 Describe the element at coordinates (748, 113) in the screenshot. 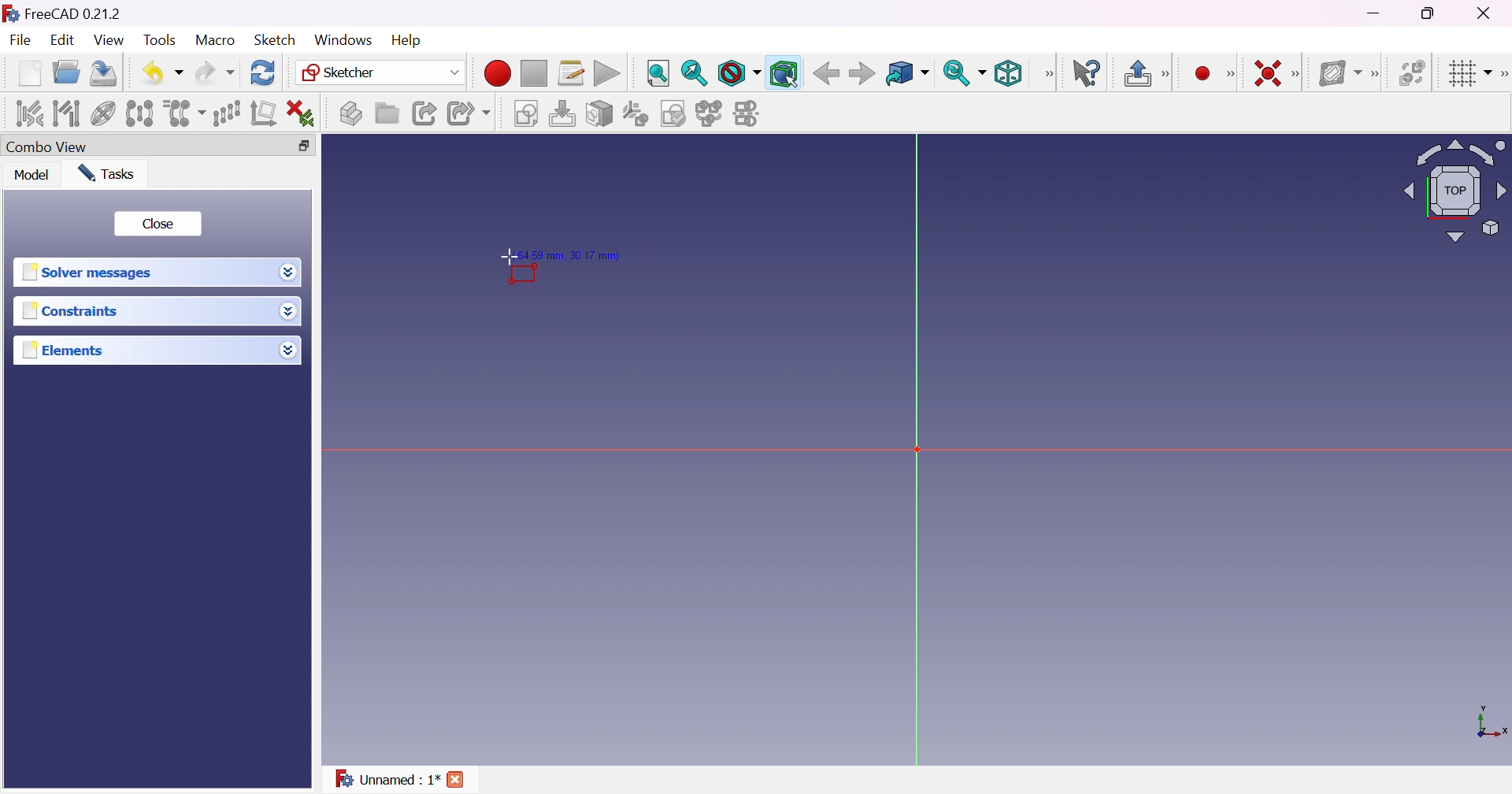

I see `Mirror sketch...` at that location.